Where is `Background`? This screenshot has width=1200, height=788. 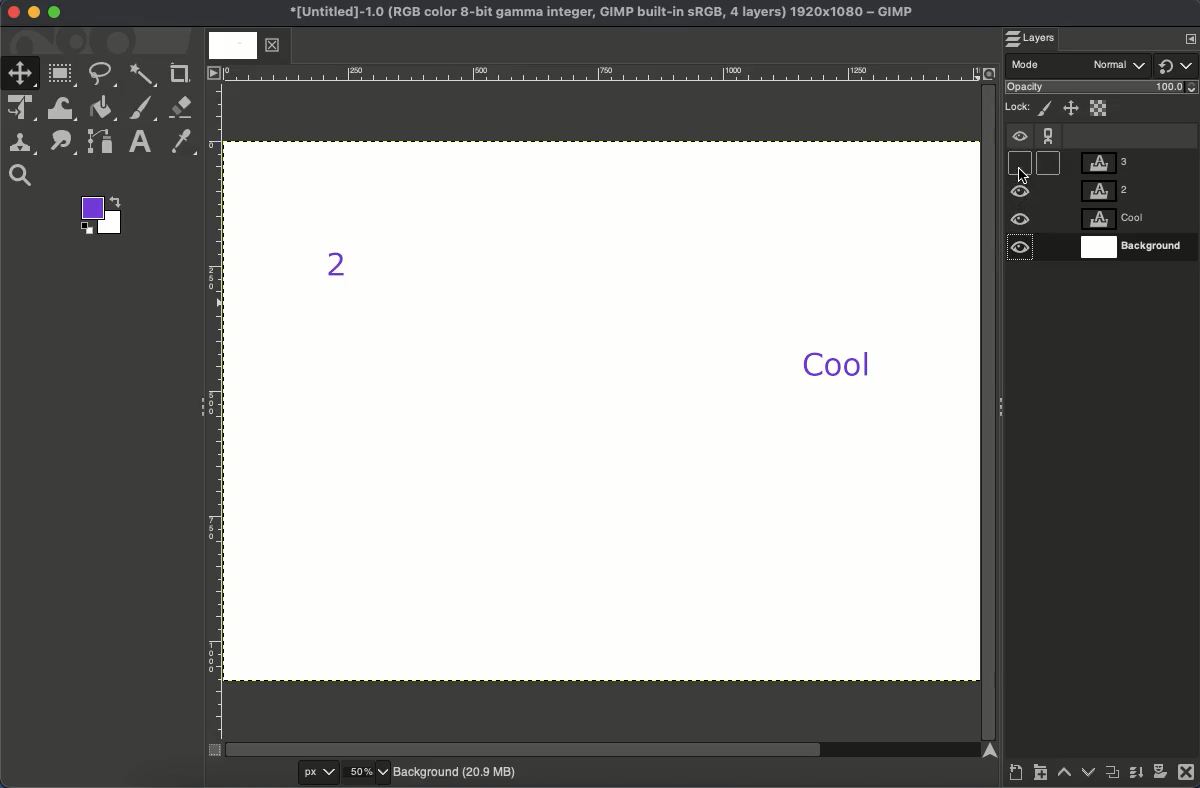
Background is located at coordinates (457, 770).